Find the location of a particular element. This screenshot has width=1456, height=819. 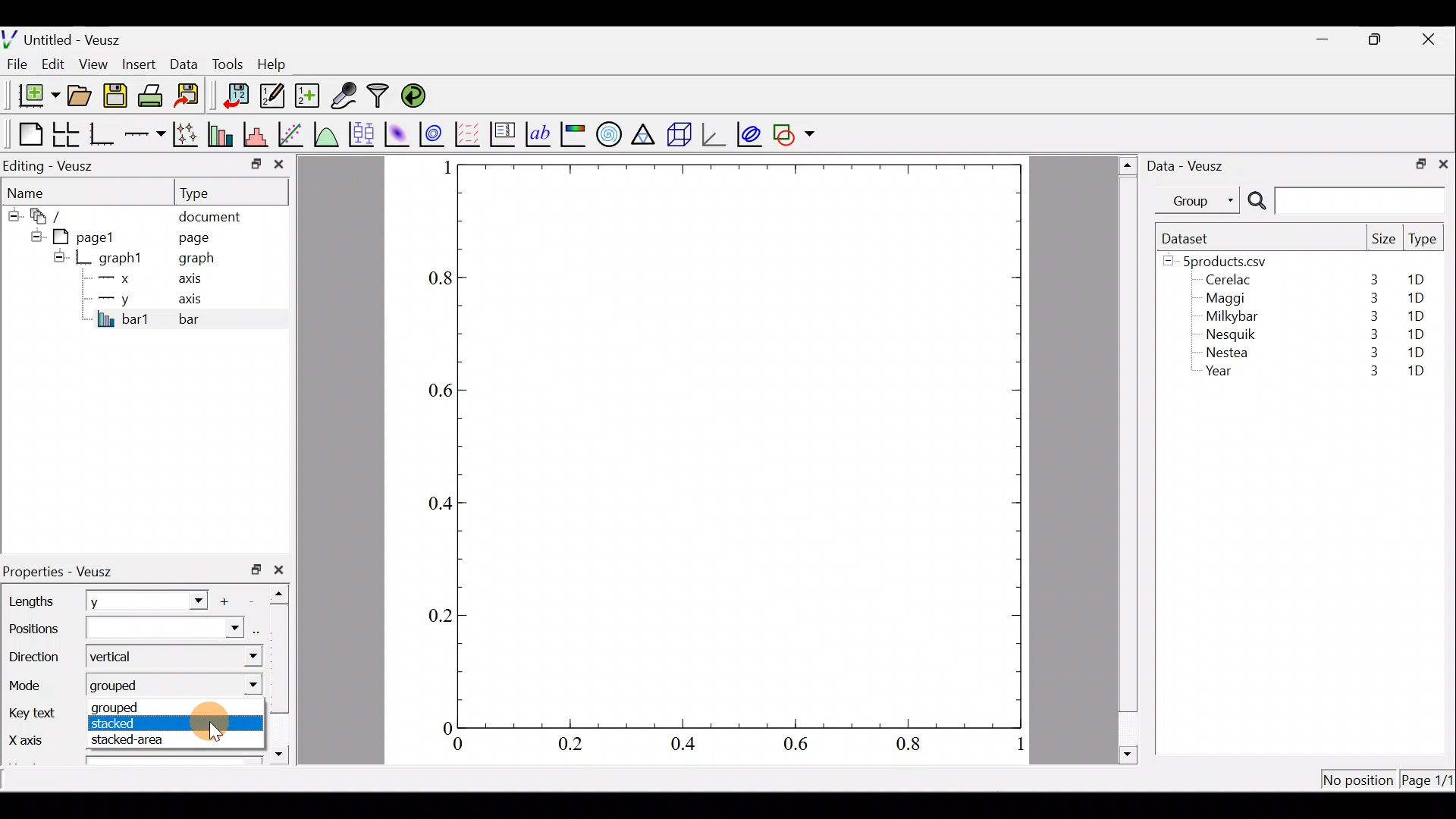

Create new dataset using ranges, parametrically, or as functions of existing datasets. is located at coordinates (309, 96).